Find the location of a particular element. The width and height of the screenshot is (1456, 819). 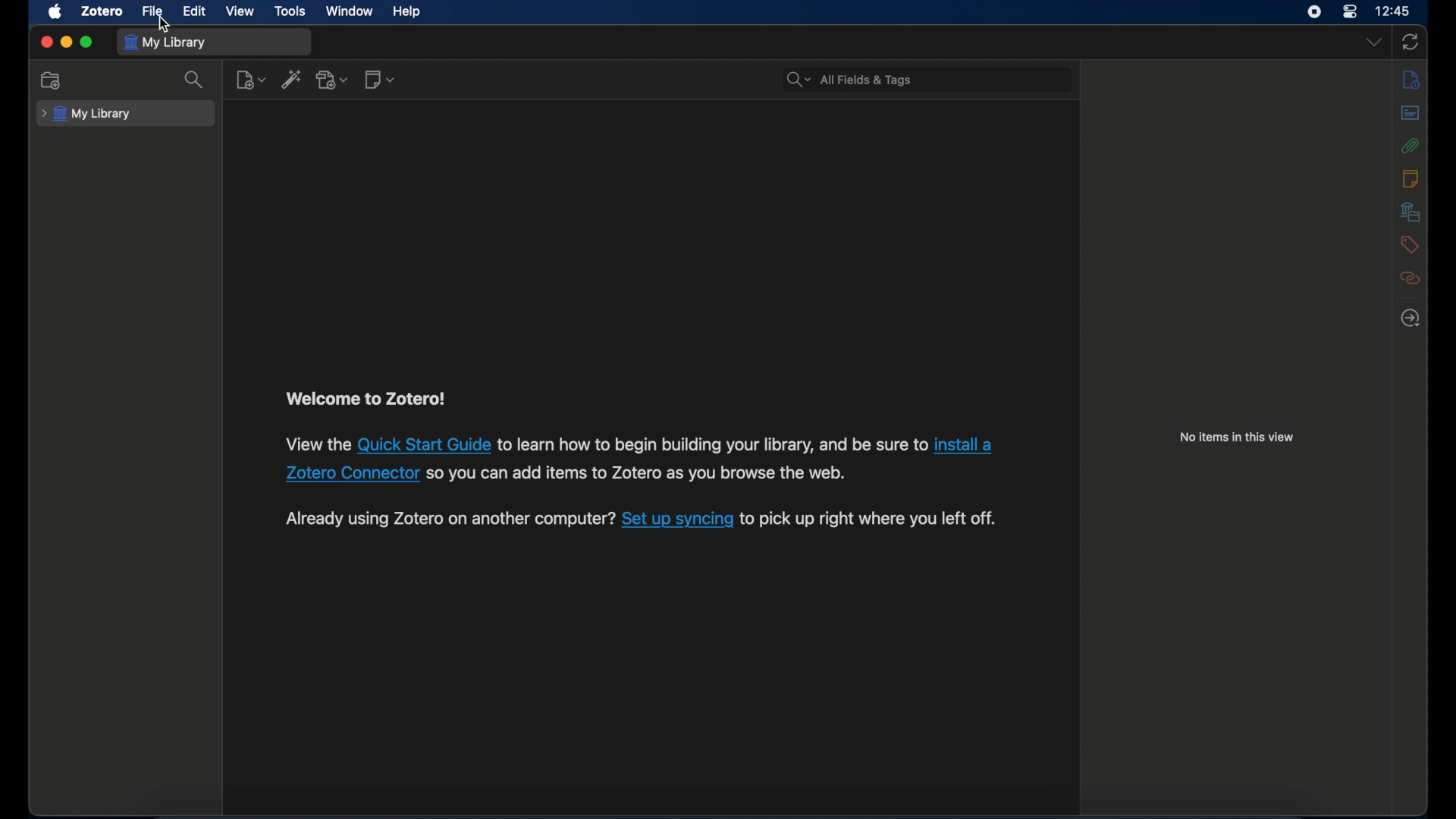

time is located at coordinates (1393, 10).